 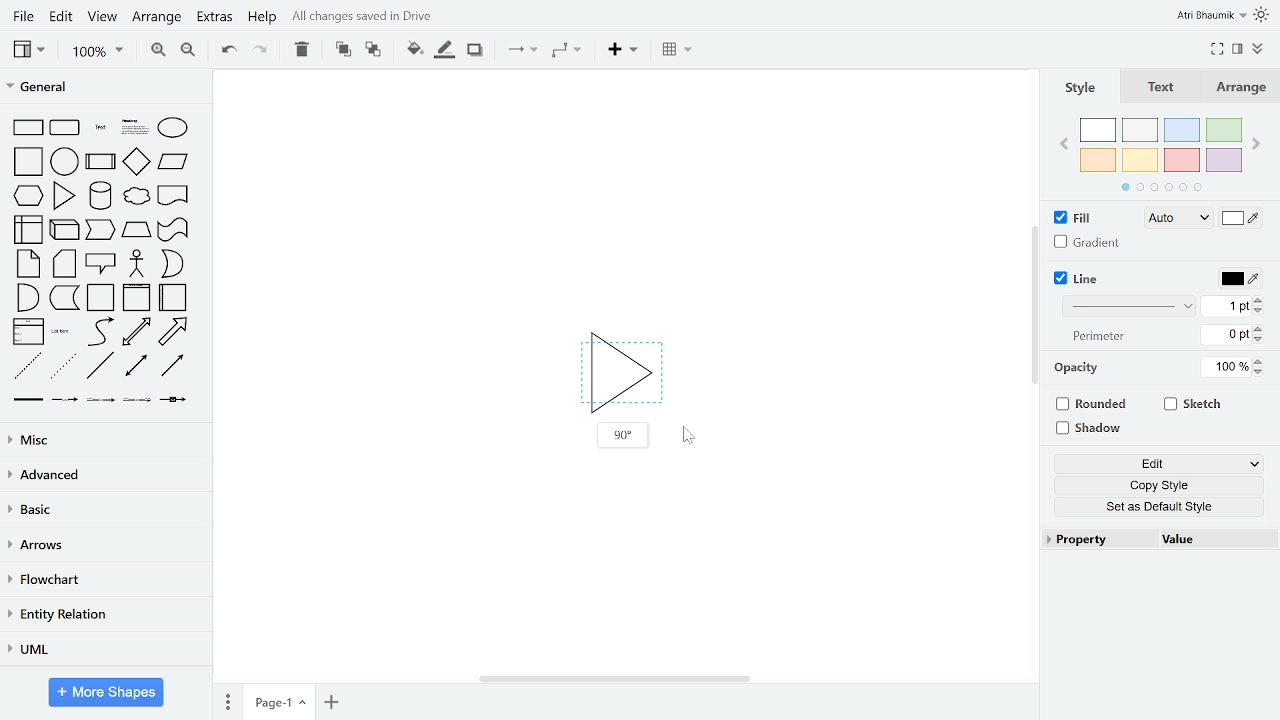 What do you see at coordinates (1246, 87) in the screenshot?
I see `arrange` at bounding box center [1246, 87].